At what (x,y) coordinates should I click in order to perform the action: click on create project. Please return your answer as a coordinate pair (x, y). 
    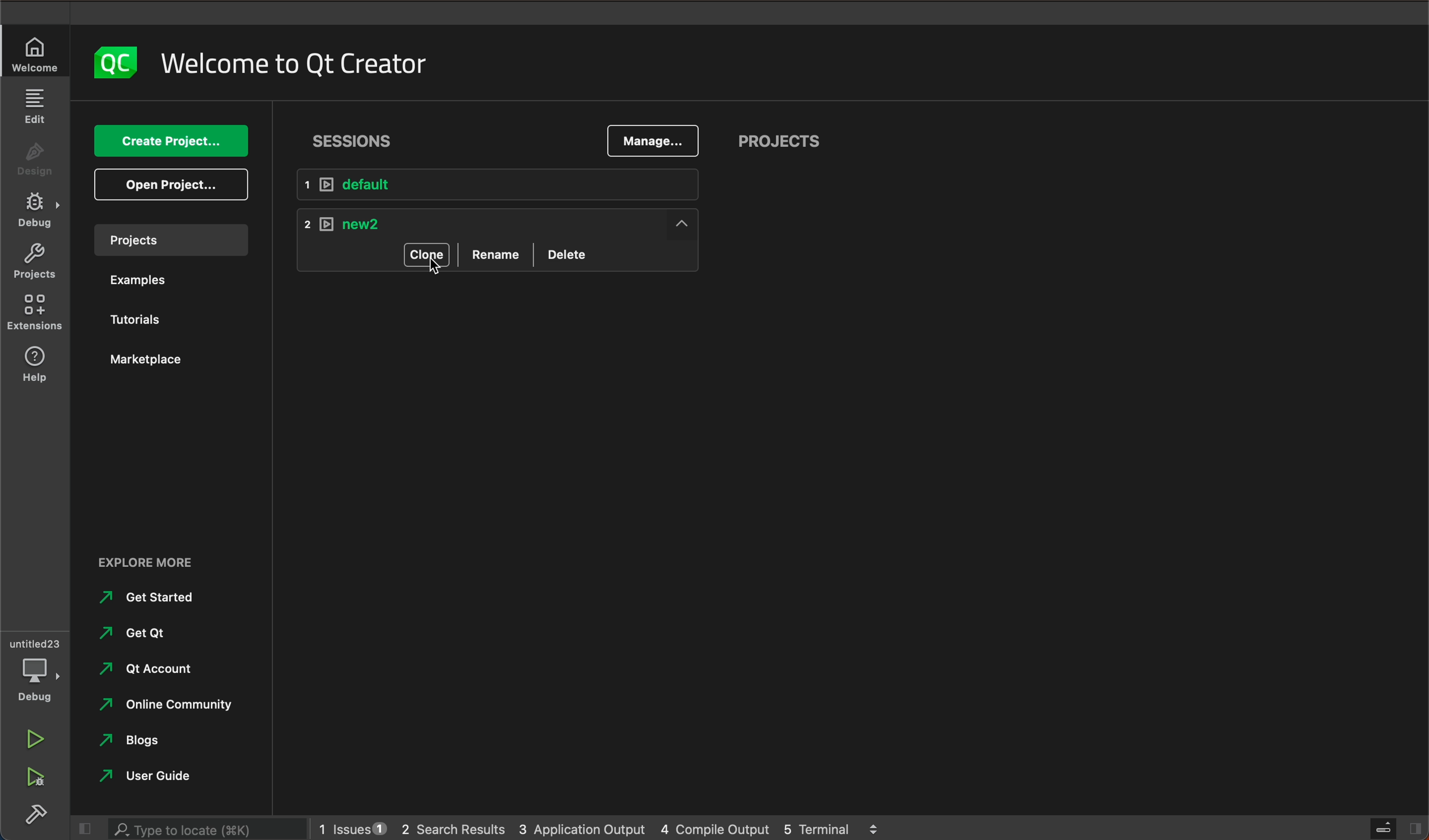
    Looking at the image, I should click on (170, 141).